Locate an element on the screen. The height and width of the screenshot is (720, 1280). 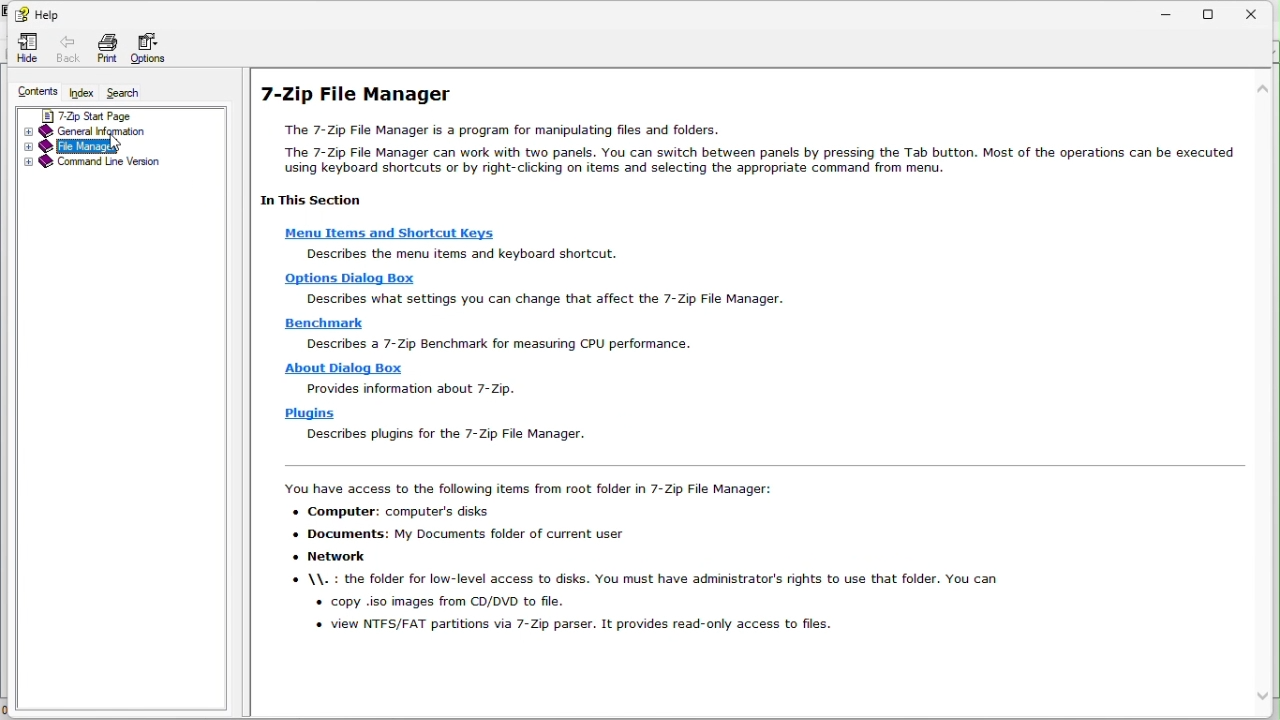
help is located at coordinates (40, 12).